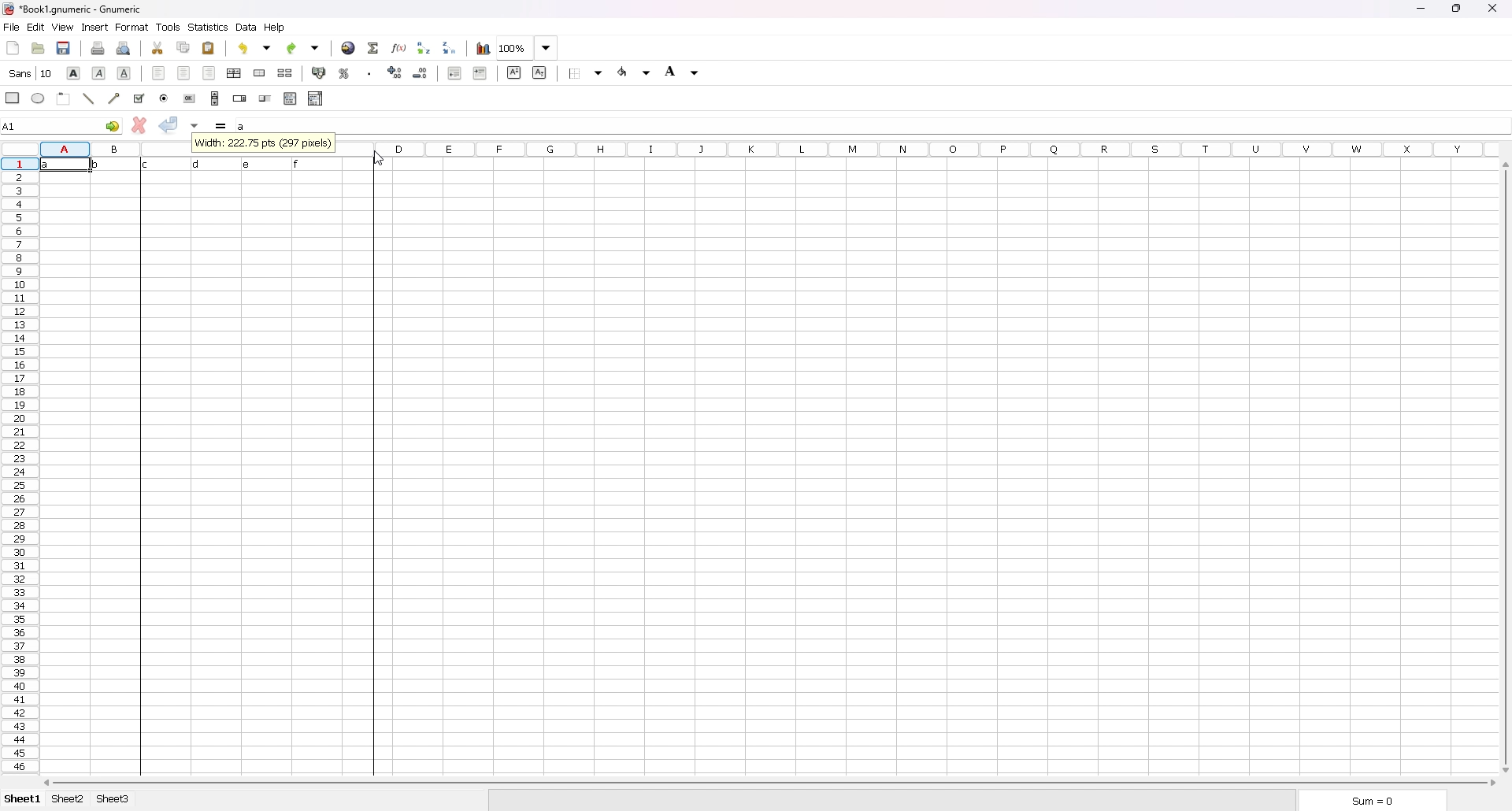  What do you see at coordinates (287, 73) in the screenshot?
I see `split merged cells` at bounding box center [287, 73].